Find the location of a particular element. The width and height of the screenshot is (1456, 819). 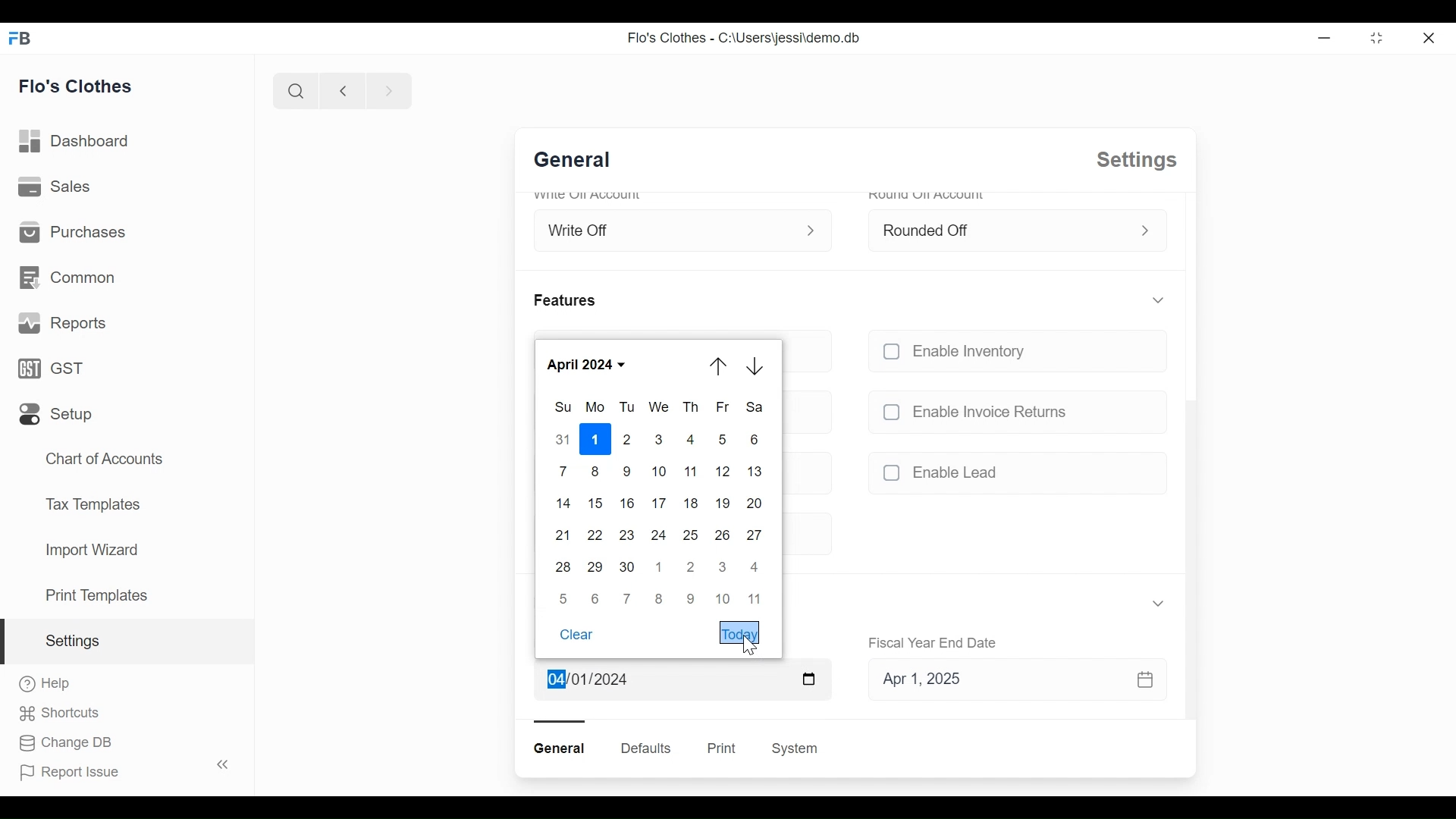

Setup is located at coordinates (58, 414).